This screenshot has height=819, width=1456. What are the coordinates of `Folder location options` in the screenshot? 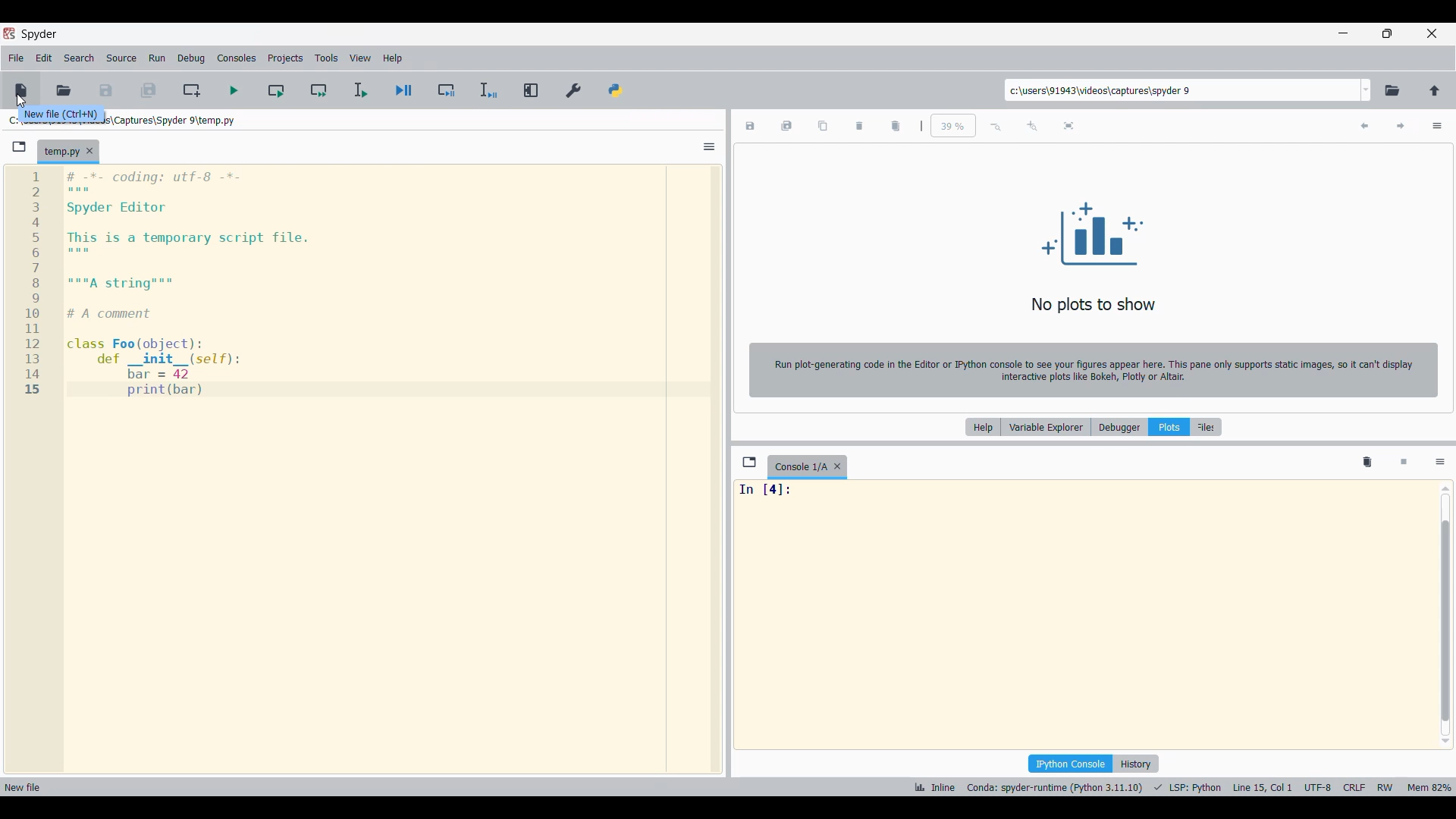 It's located at (1367, 90).